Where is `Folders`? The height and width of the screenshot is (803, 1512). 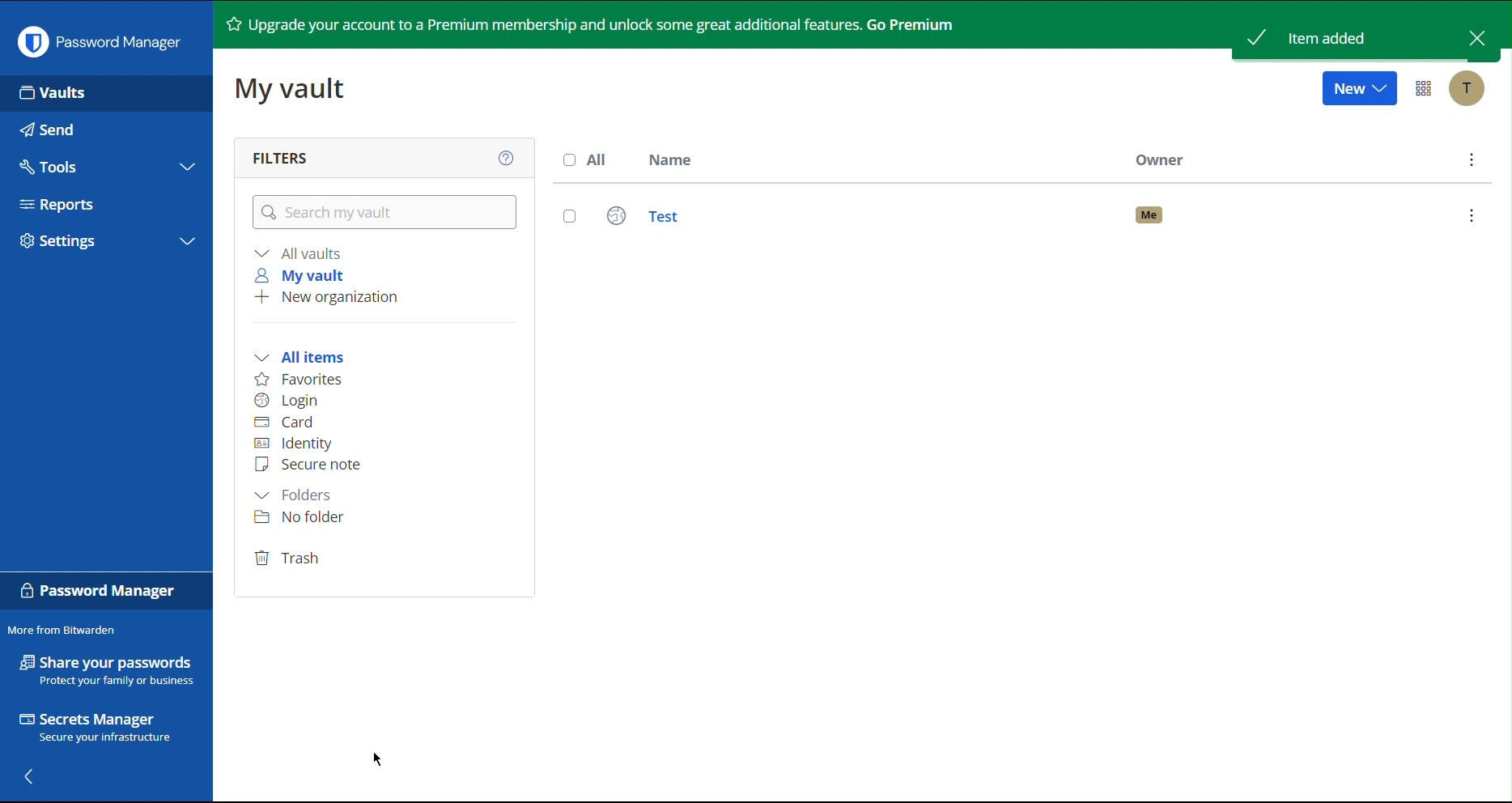
Folders is located at coordinates (295, 495).